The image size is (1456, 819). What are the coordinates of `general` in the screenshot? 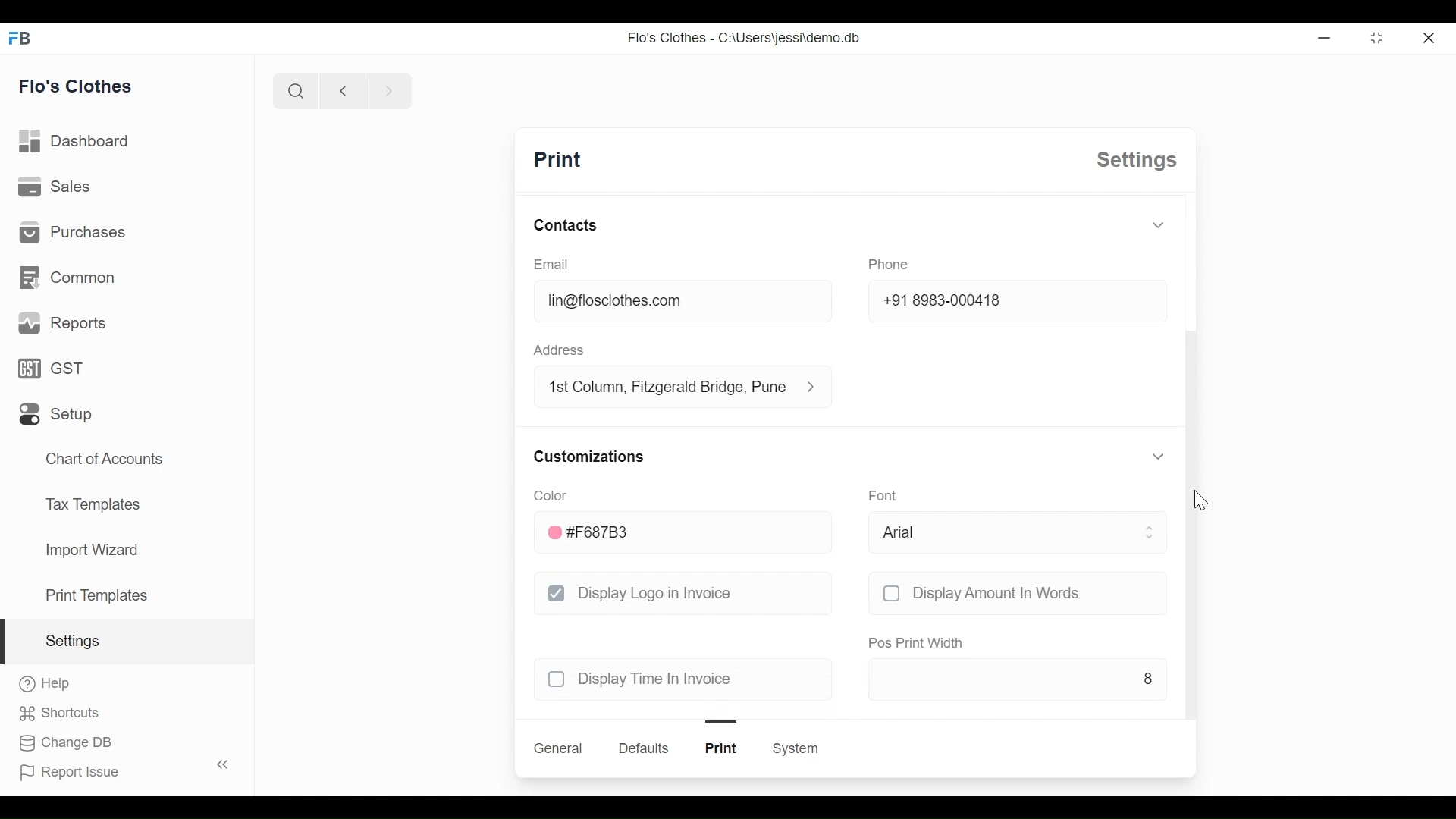 It's located at (559, 748).